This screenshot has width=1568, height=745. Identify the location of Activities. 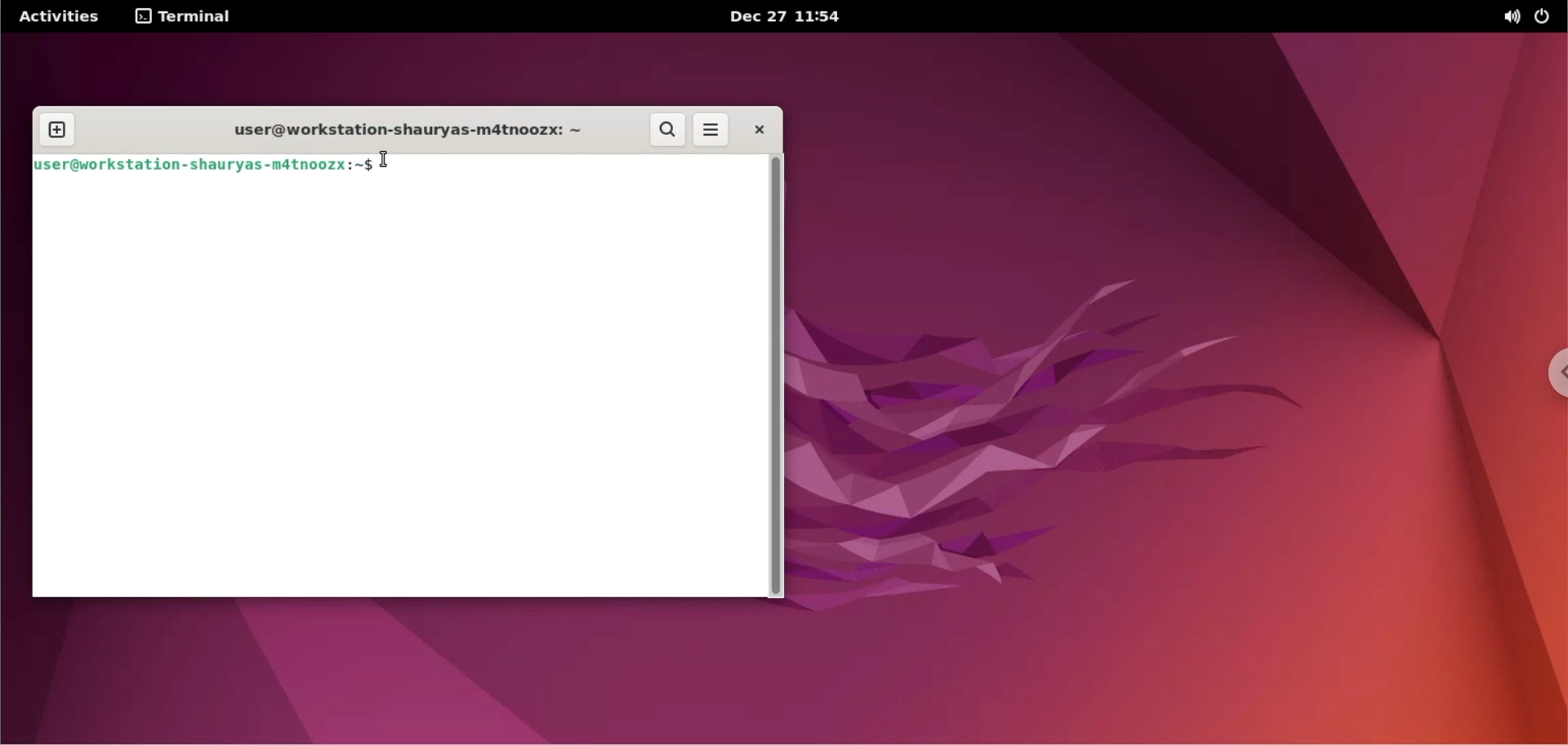
(58, 17).